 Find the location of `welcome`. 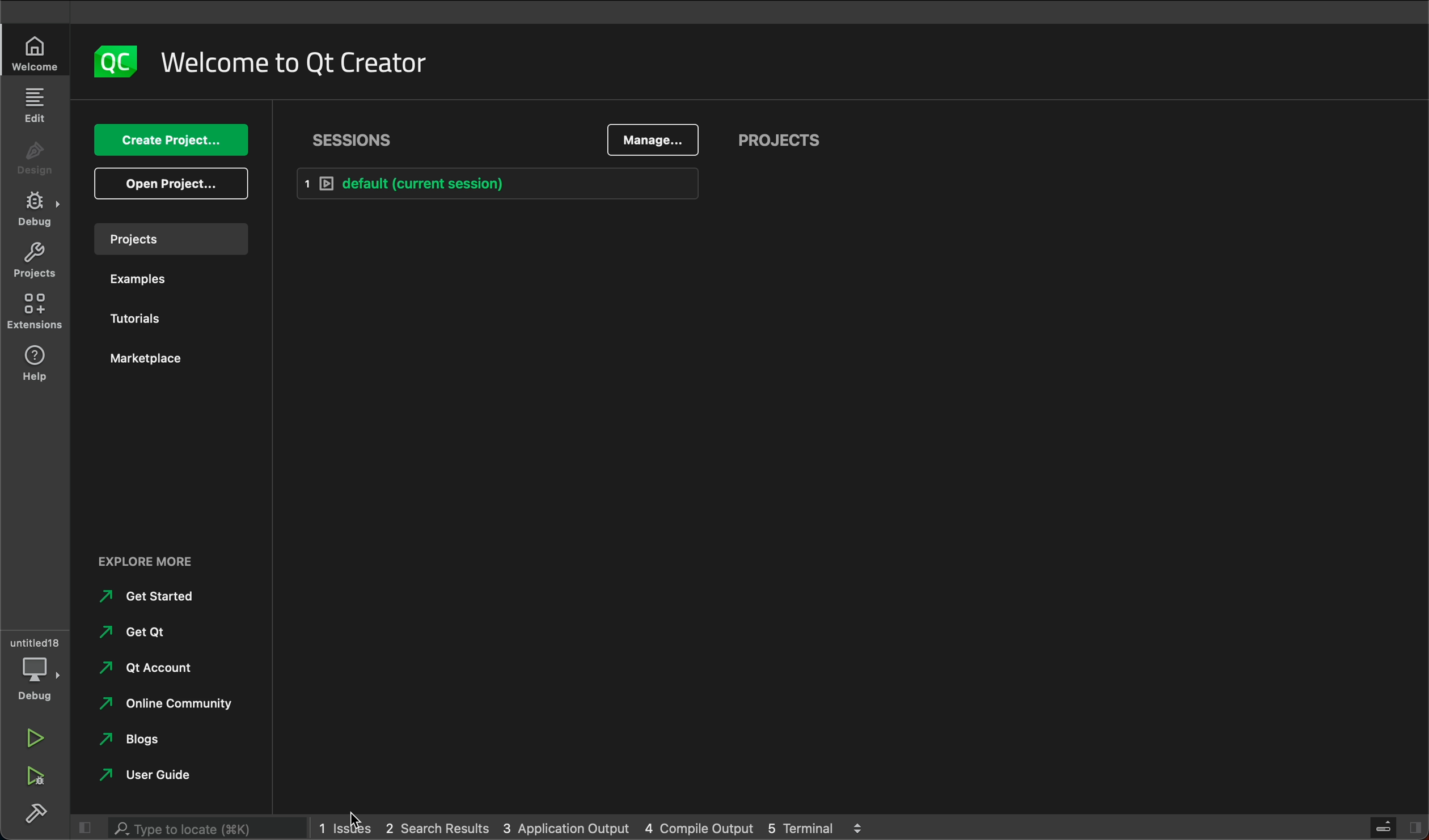

welcome is located at coordinates (39, 53).